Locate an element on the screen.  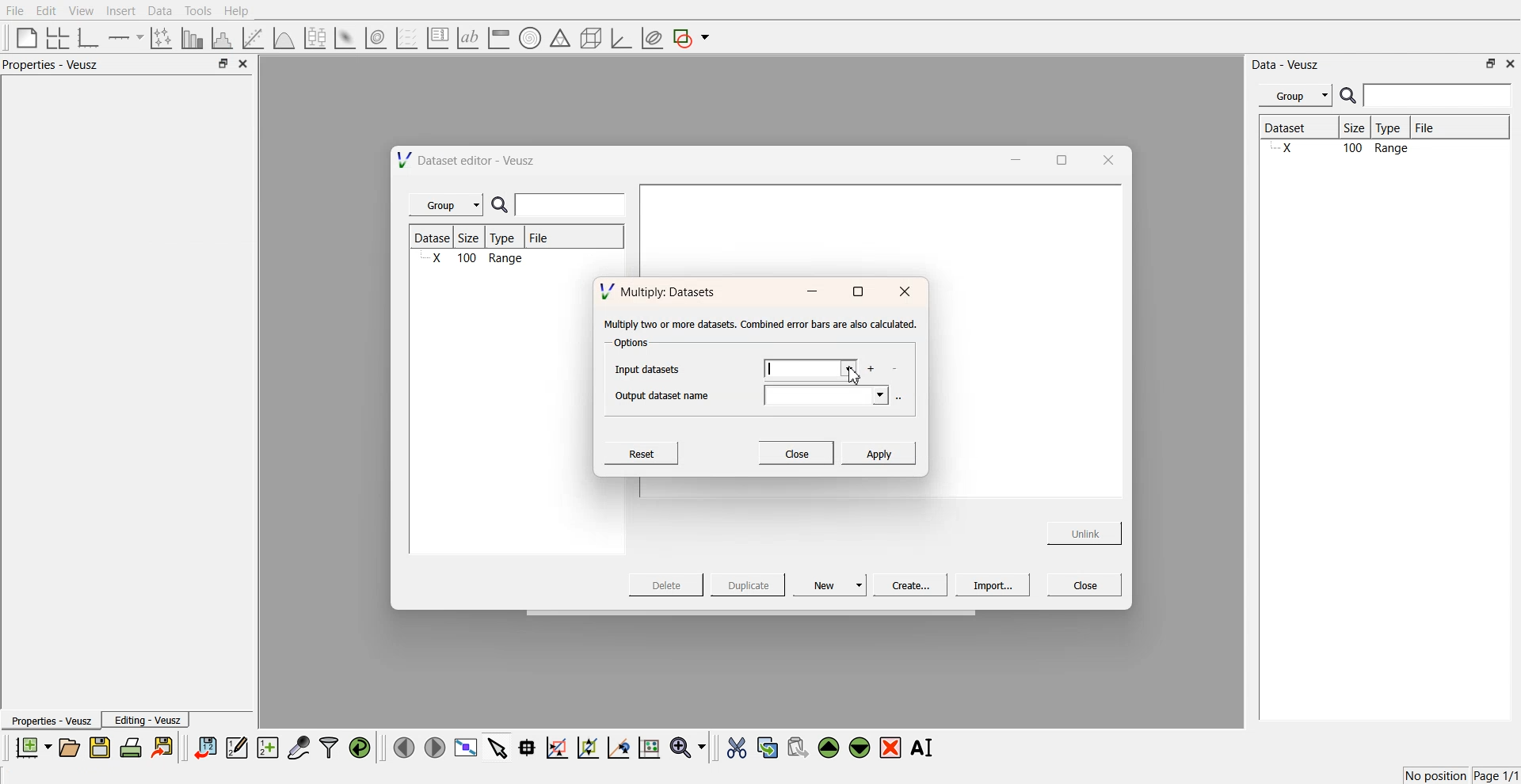
Type is located at coordinates (507, 238).